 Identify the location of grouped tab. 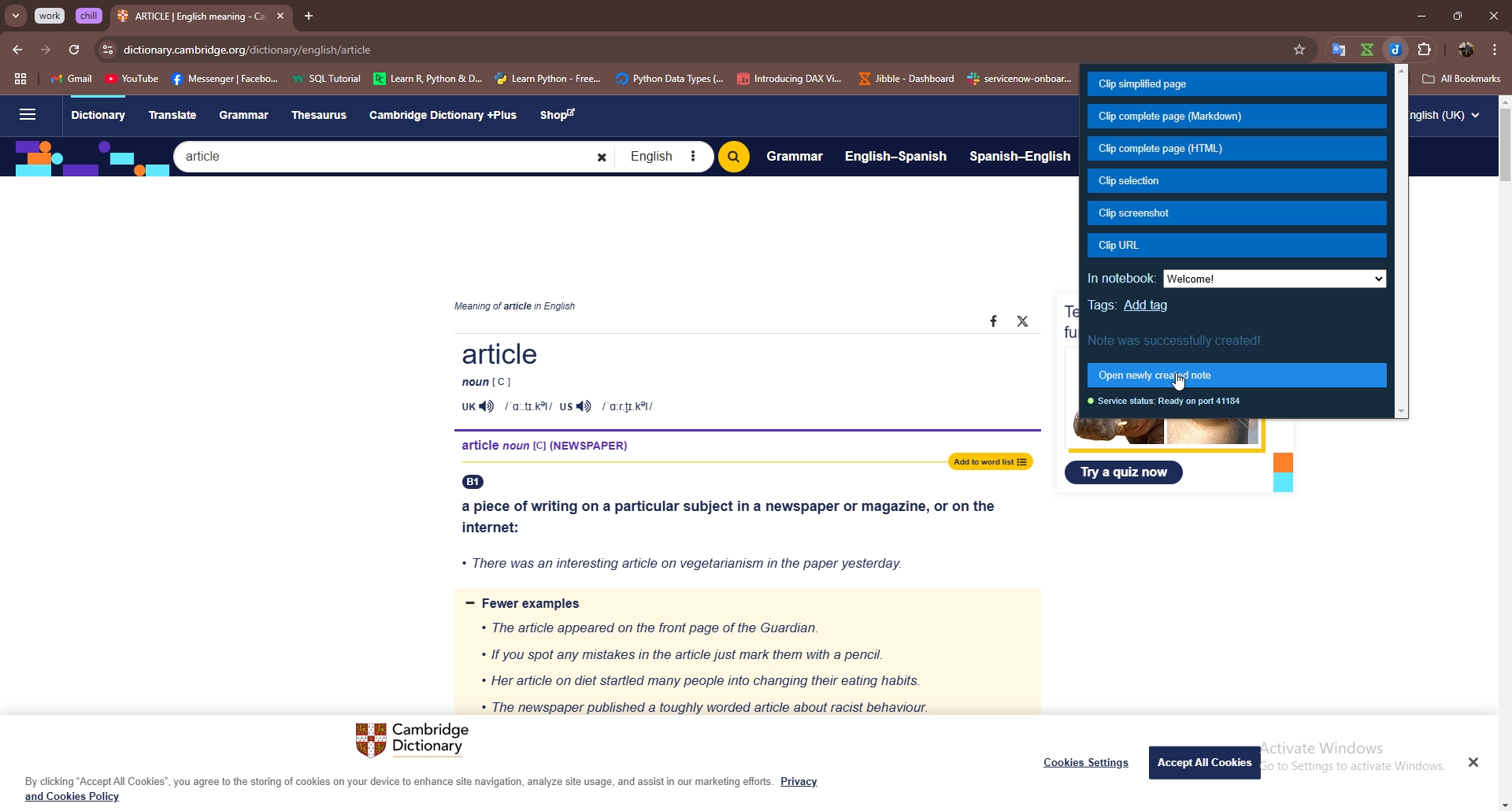
(51, 16).